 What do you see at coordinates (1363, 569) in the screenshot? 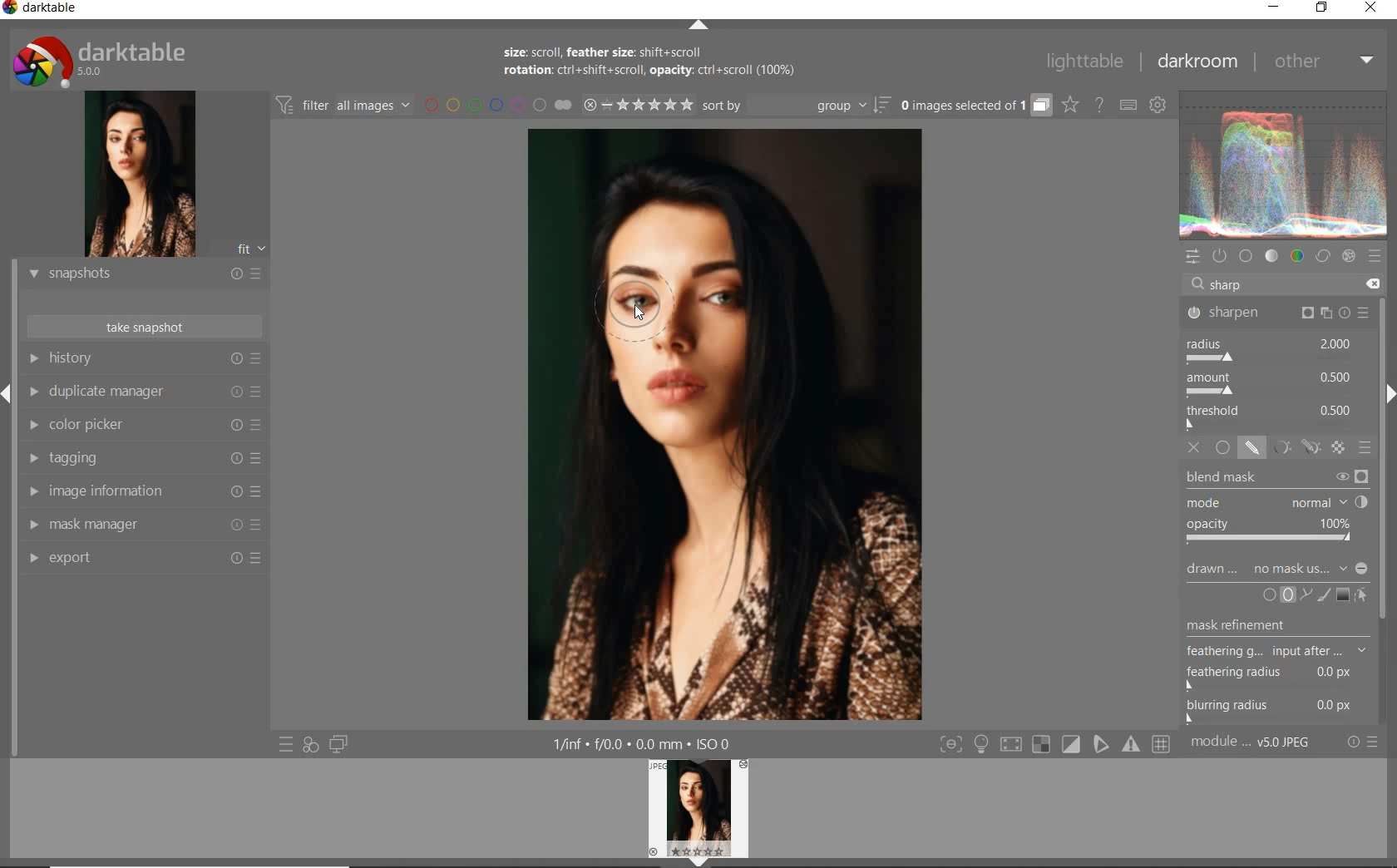
I see `Minimize` at bounding box center [1363, 569].